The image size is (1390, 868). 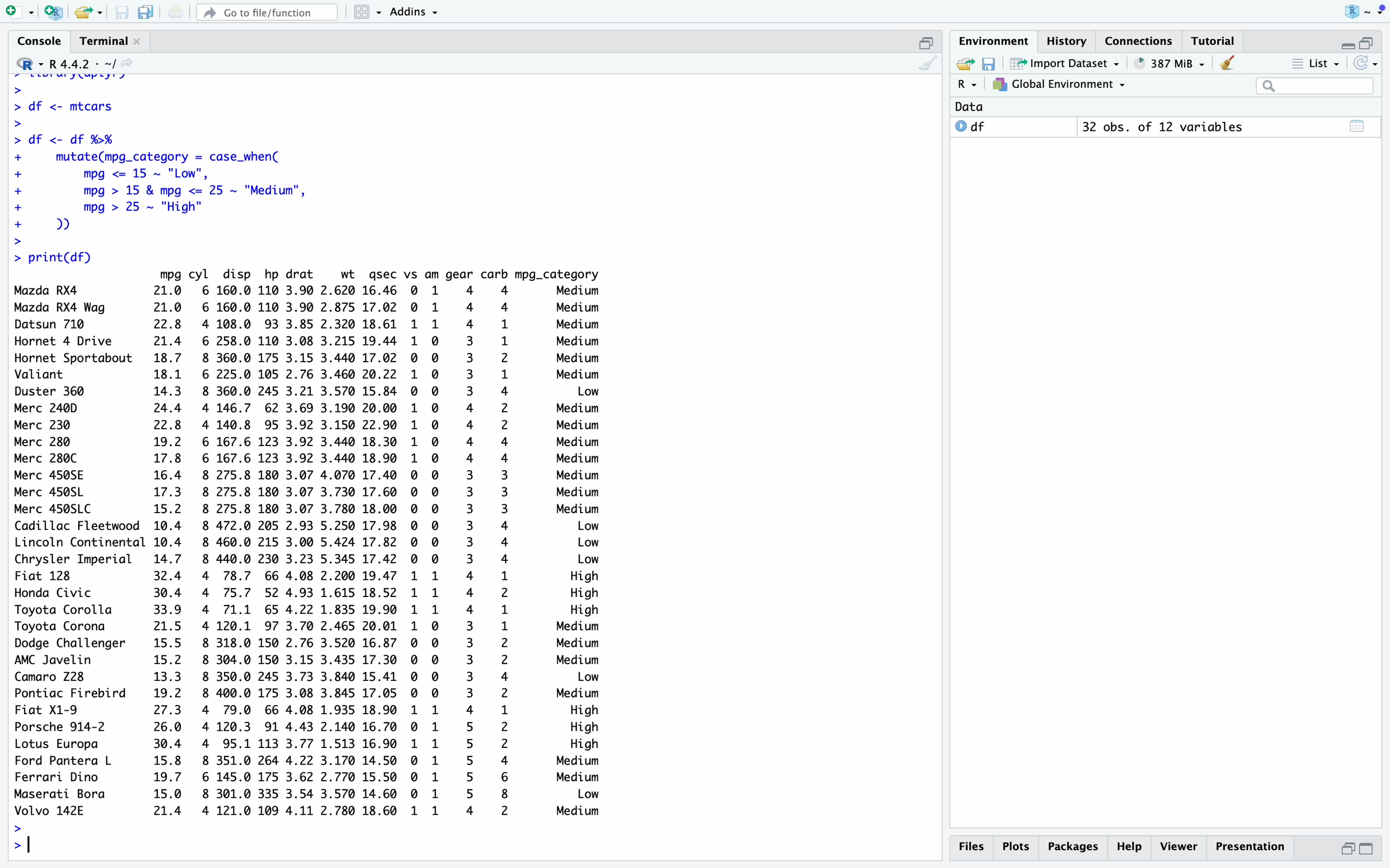 I want to click on > library(dplyr)>> df <- mtcars>> df <- df %%+ mutate(mpg_category = case_when(+ mpg <= 15 ~ "Low",+ mpg > 15 & mpg <= 25 ~ "Medium",+ mpg > 25 ~ "High"+ ))>, so click(x=159, y=160).